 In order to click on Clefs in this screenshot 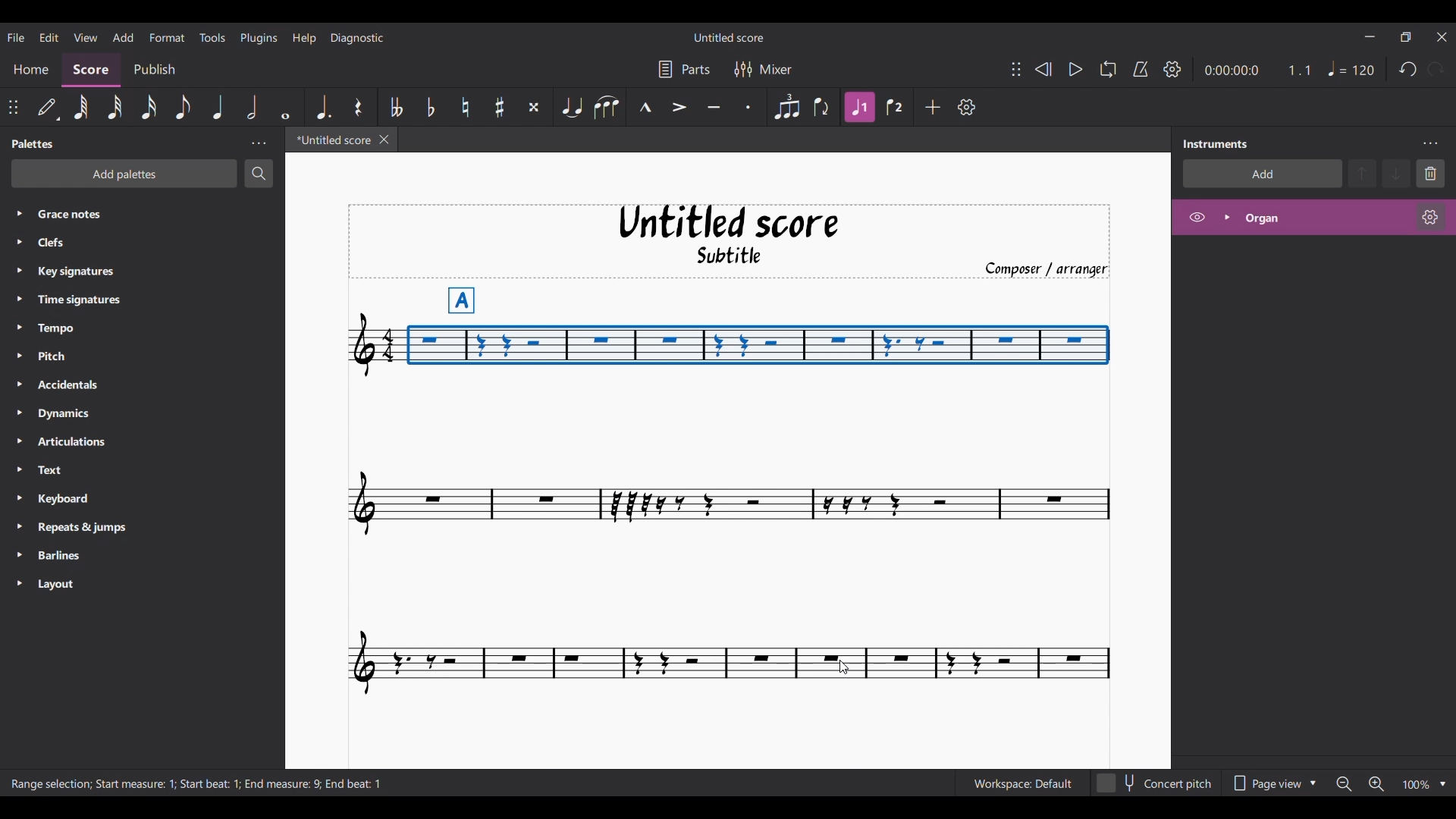, I will do `click(121, 243)`.